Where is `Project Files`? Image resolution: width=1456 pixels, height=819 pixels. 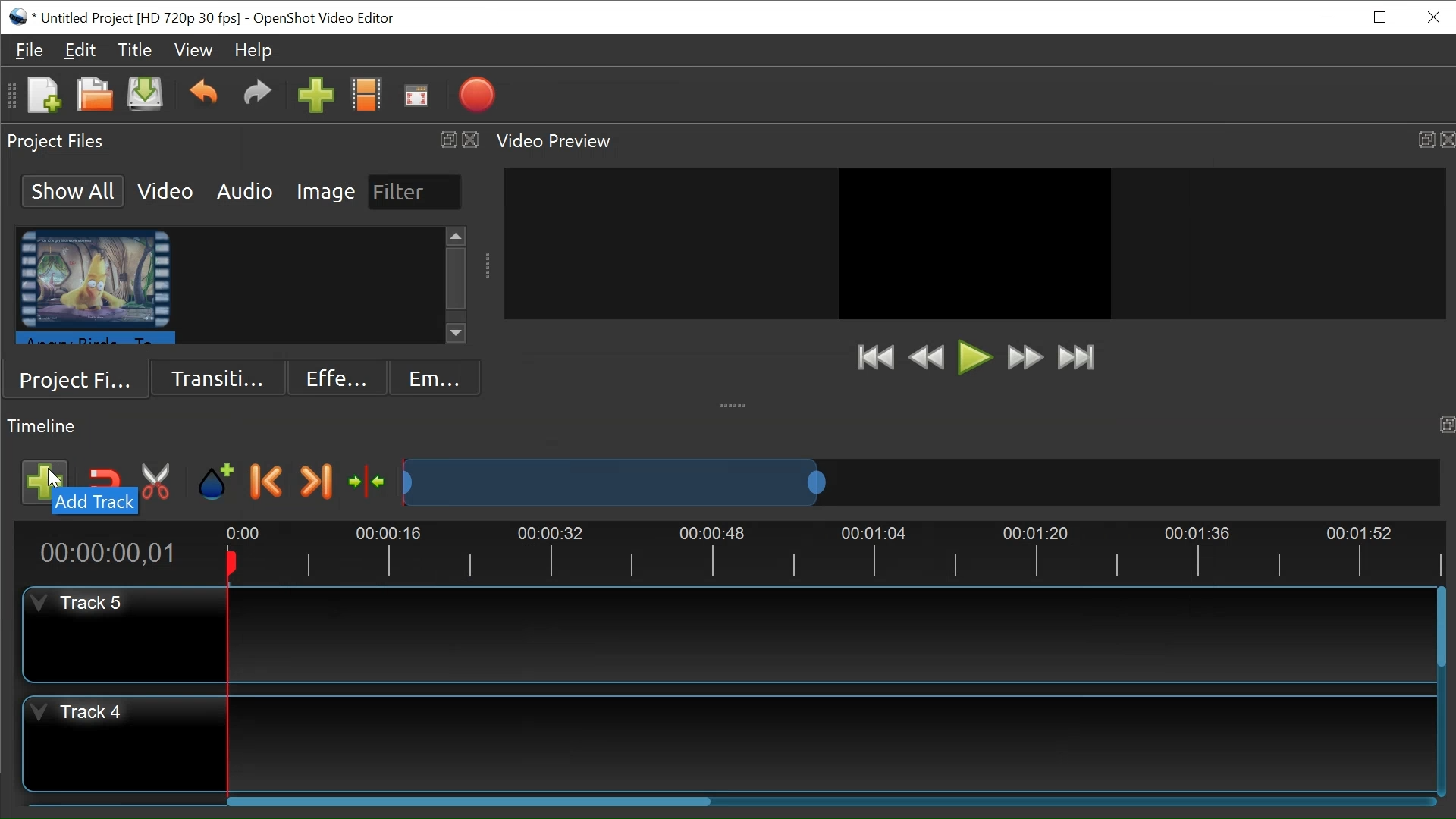 Project Files is located at coordinates (242, 142).